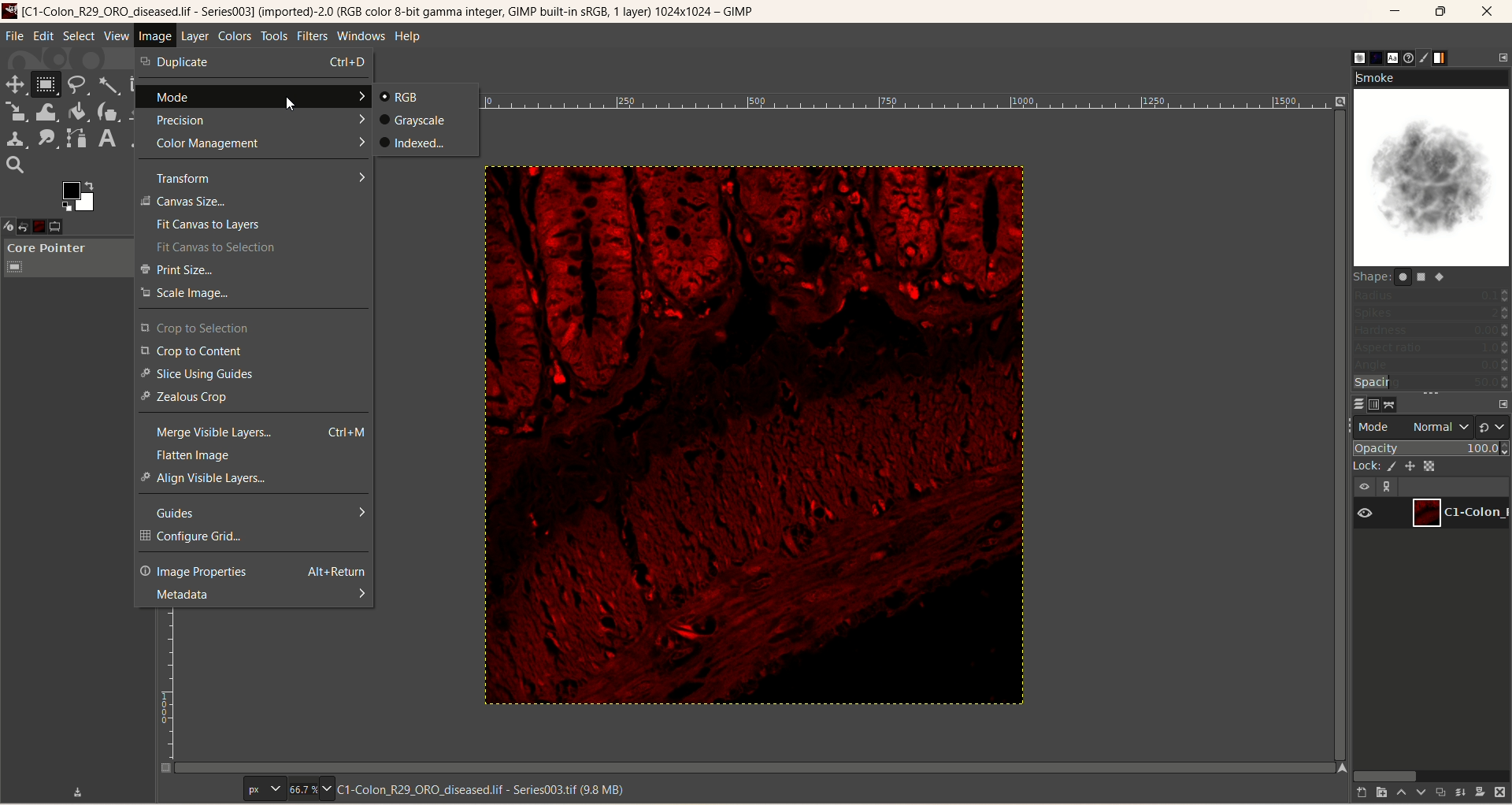 This screenshot has height=805, width=1512. I want to click on fuzzy select tool, so click(108, 82).